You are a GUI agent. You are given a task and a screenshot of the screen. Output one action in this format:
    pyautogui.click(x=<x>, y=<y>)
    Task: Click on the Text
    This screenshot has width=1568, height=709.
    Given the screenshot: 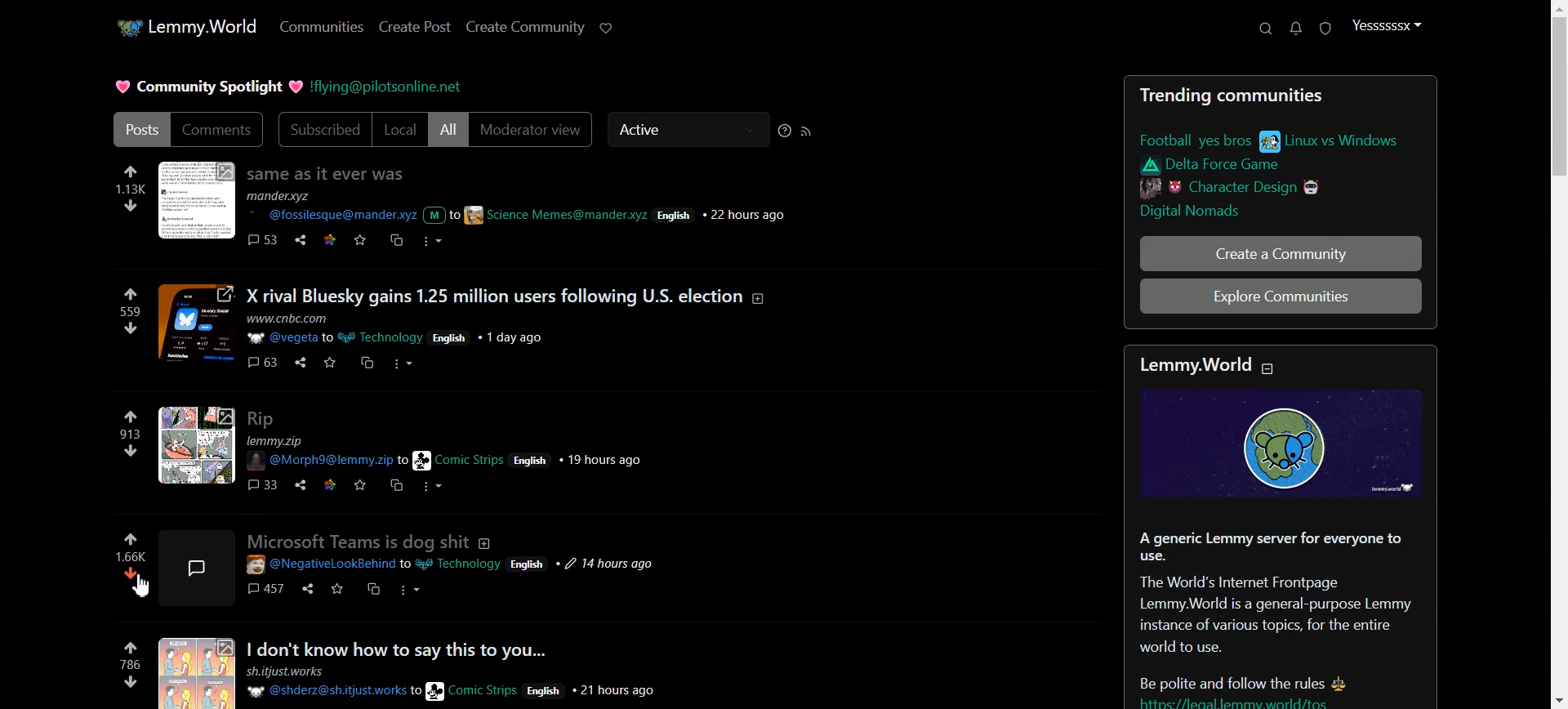 What is the action you would take?
    pyautogui.click(x=1281, y=96)
    